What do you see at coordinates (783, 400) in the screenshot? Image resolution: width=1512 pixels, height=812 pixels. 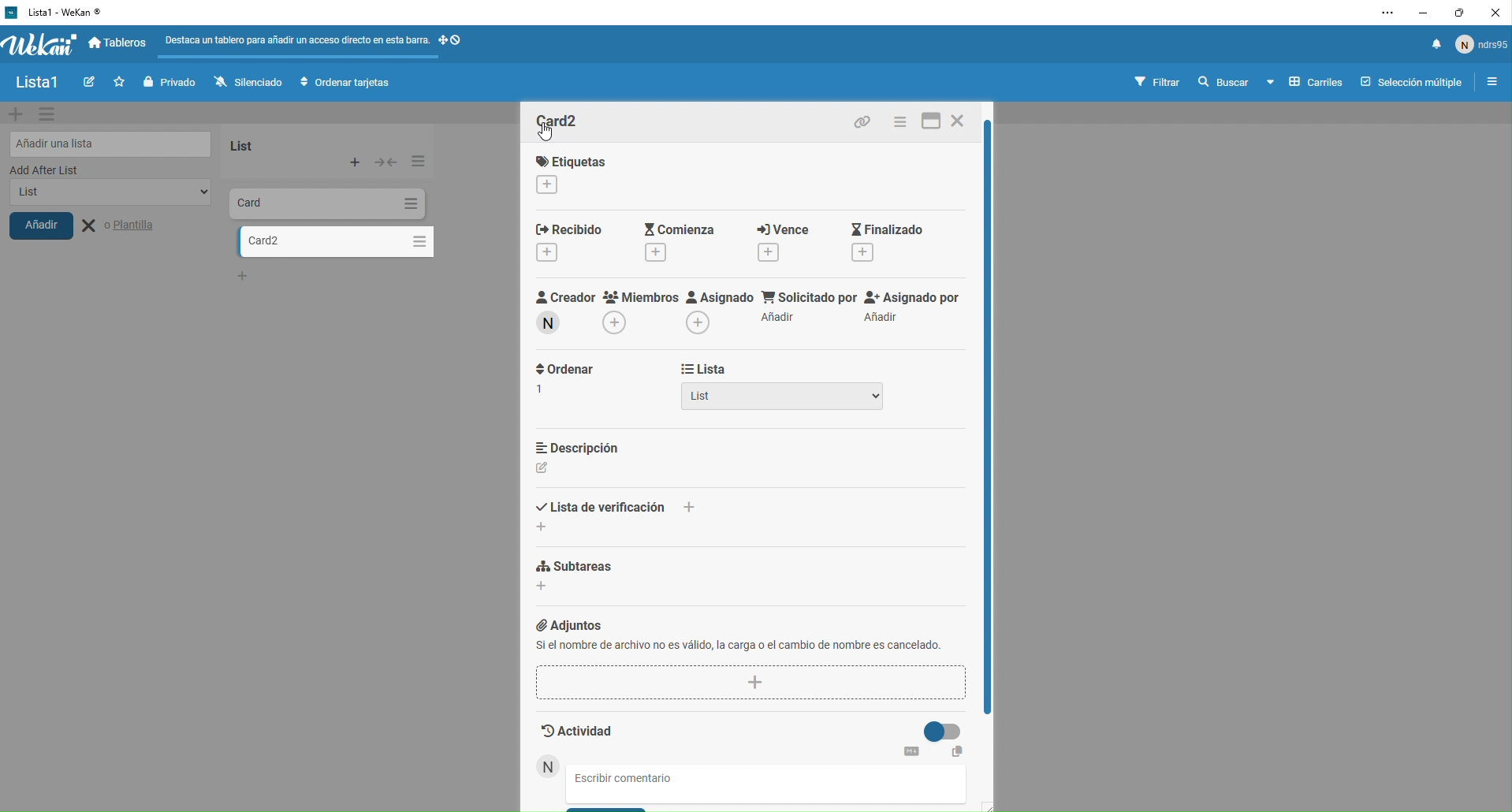 I see `List` at bounding box center [783, 400].